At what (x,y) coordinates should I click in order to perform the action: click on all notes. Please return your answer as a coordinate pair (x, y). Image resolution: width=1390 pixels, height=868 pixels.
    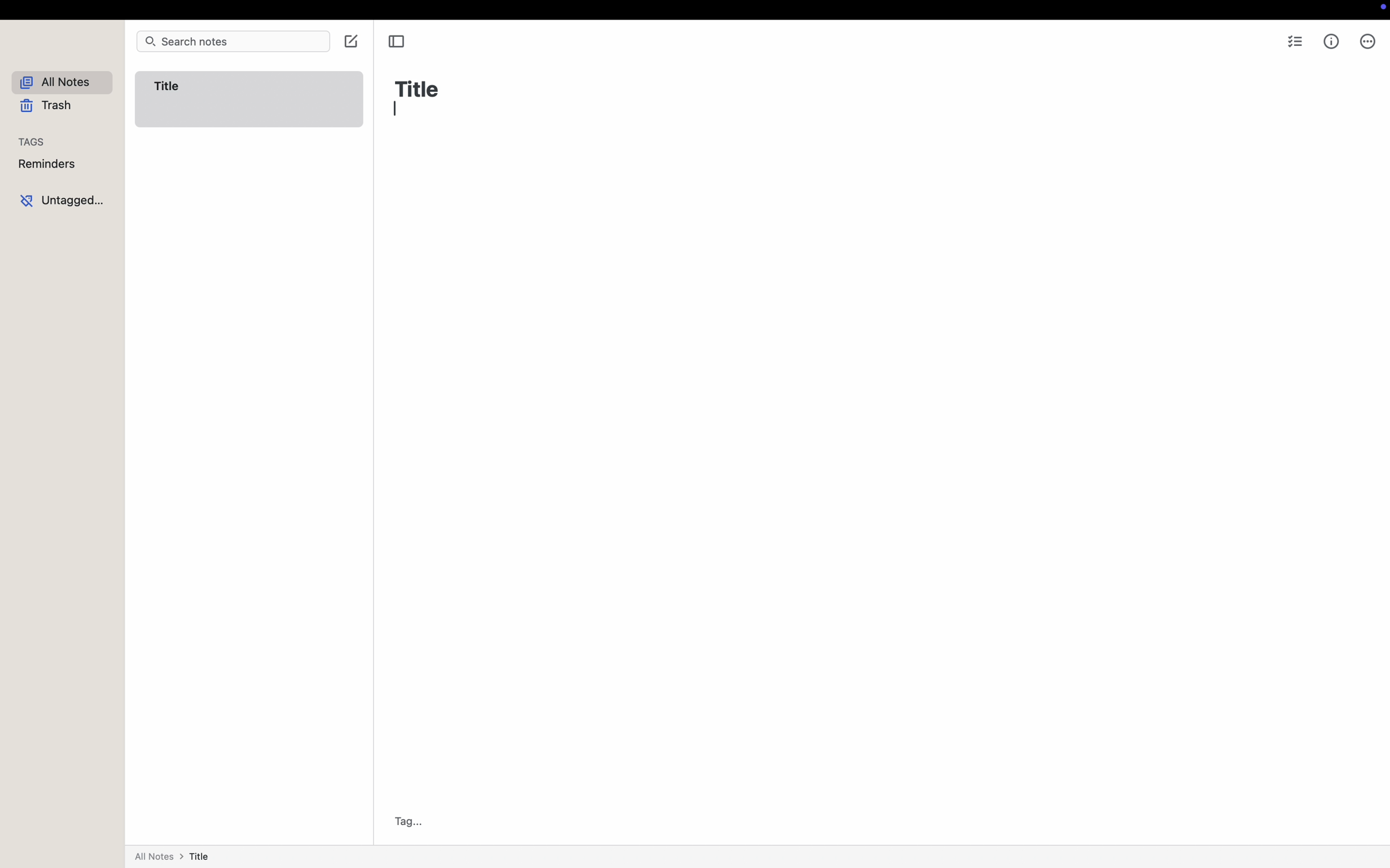
    Looking at the image, I should click on (61, 80).